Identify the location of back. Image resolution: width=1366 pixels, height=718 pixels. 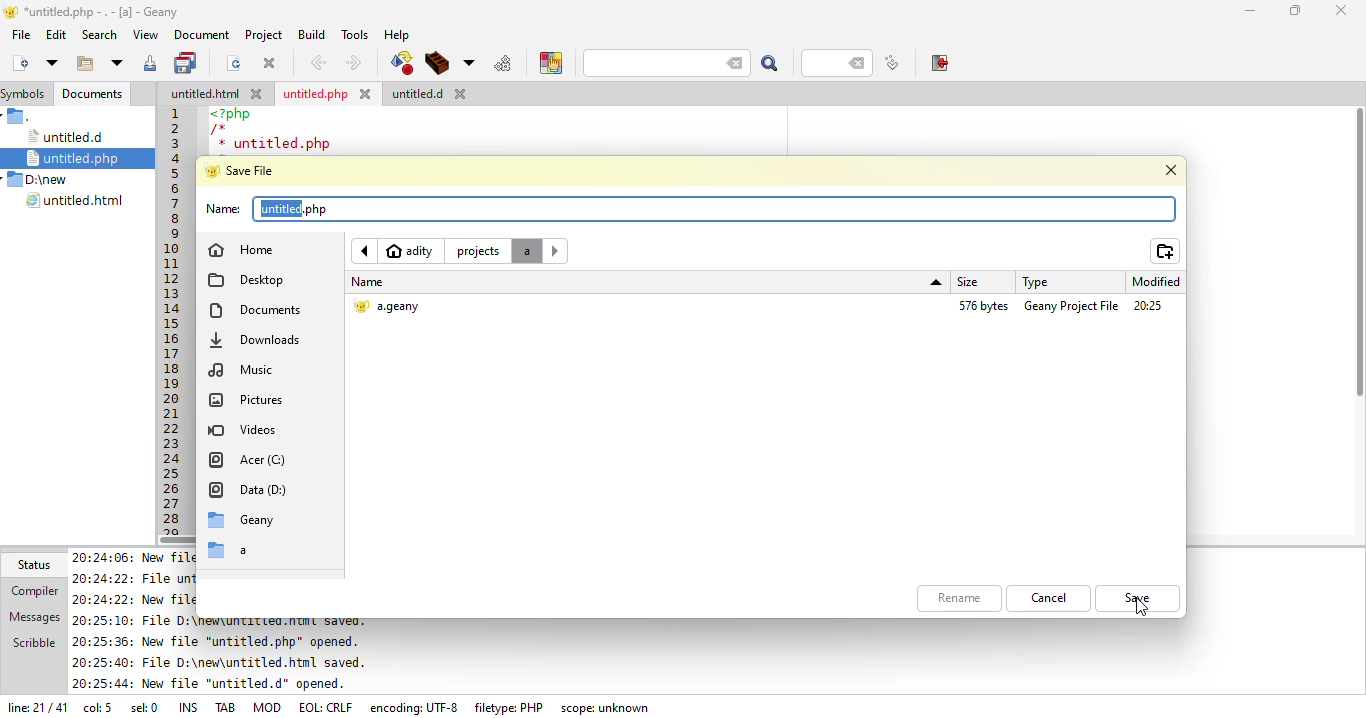
(364, 251).